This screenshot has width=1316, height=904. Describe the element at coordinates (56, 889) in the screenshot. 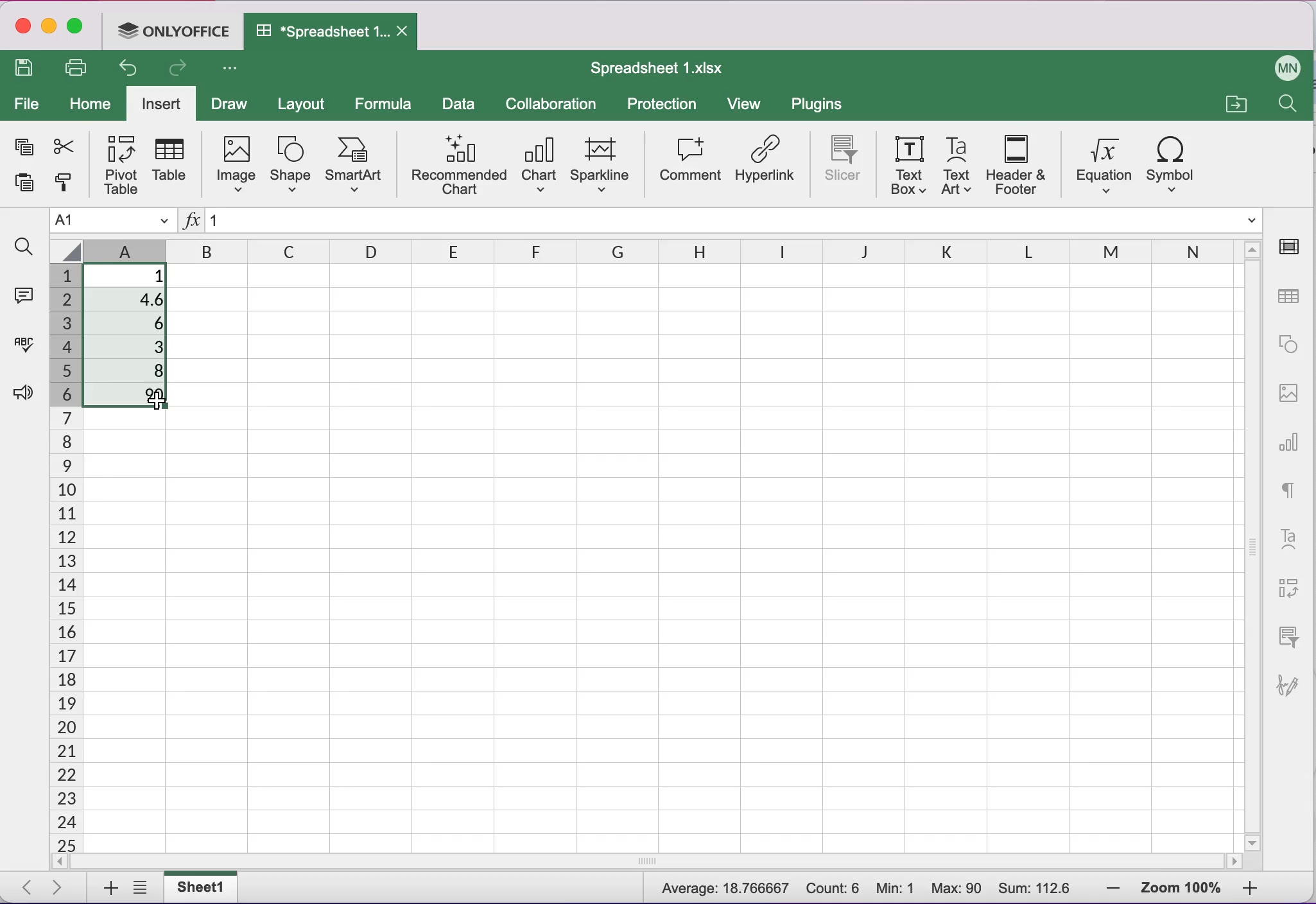

I see `next sheet` at that location.